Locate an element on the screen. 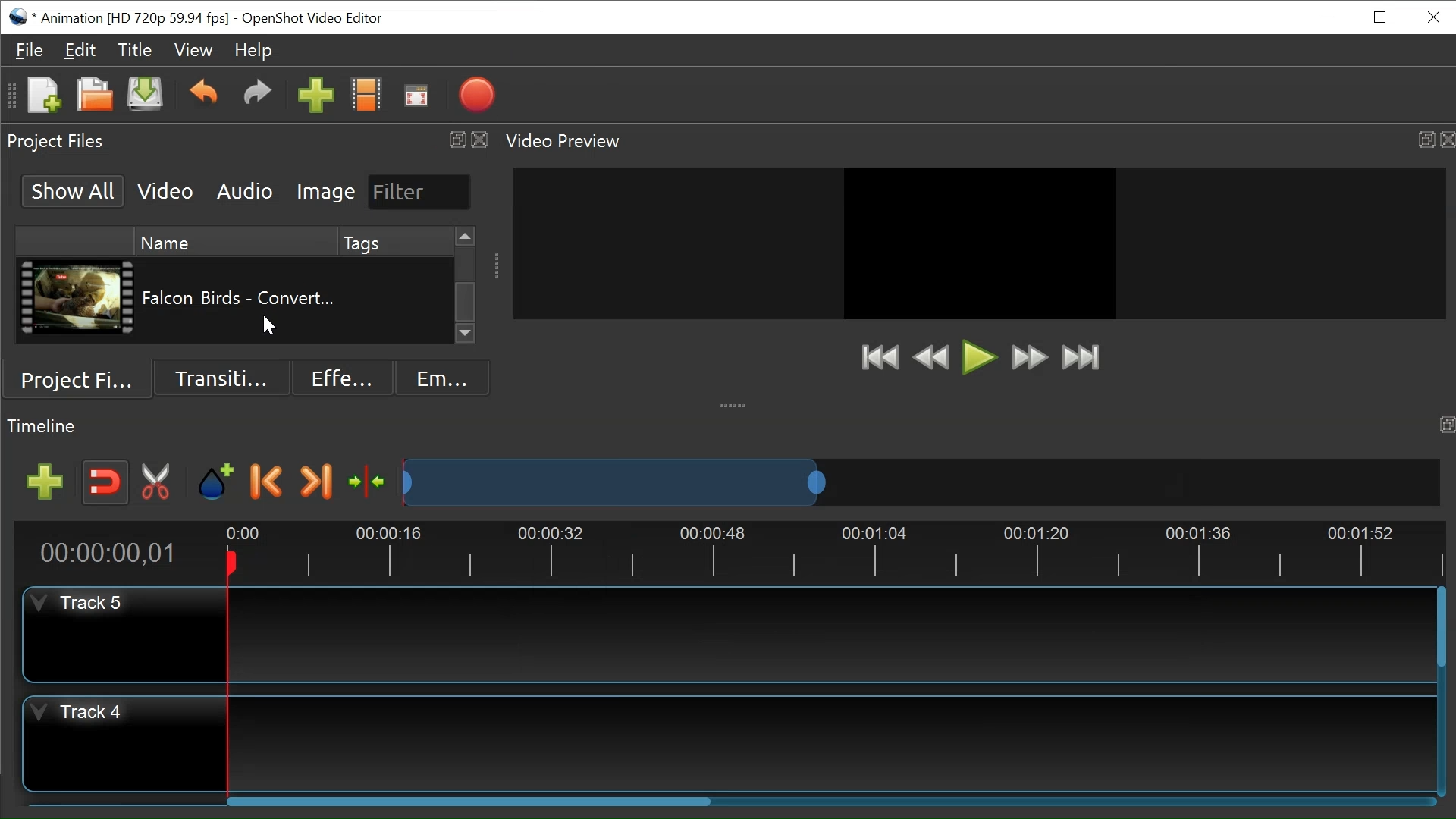 Image resolution: width=1456 pixels, height=819 pixels. View is located at coordinates (193, 49).